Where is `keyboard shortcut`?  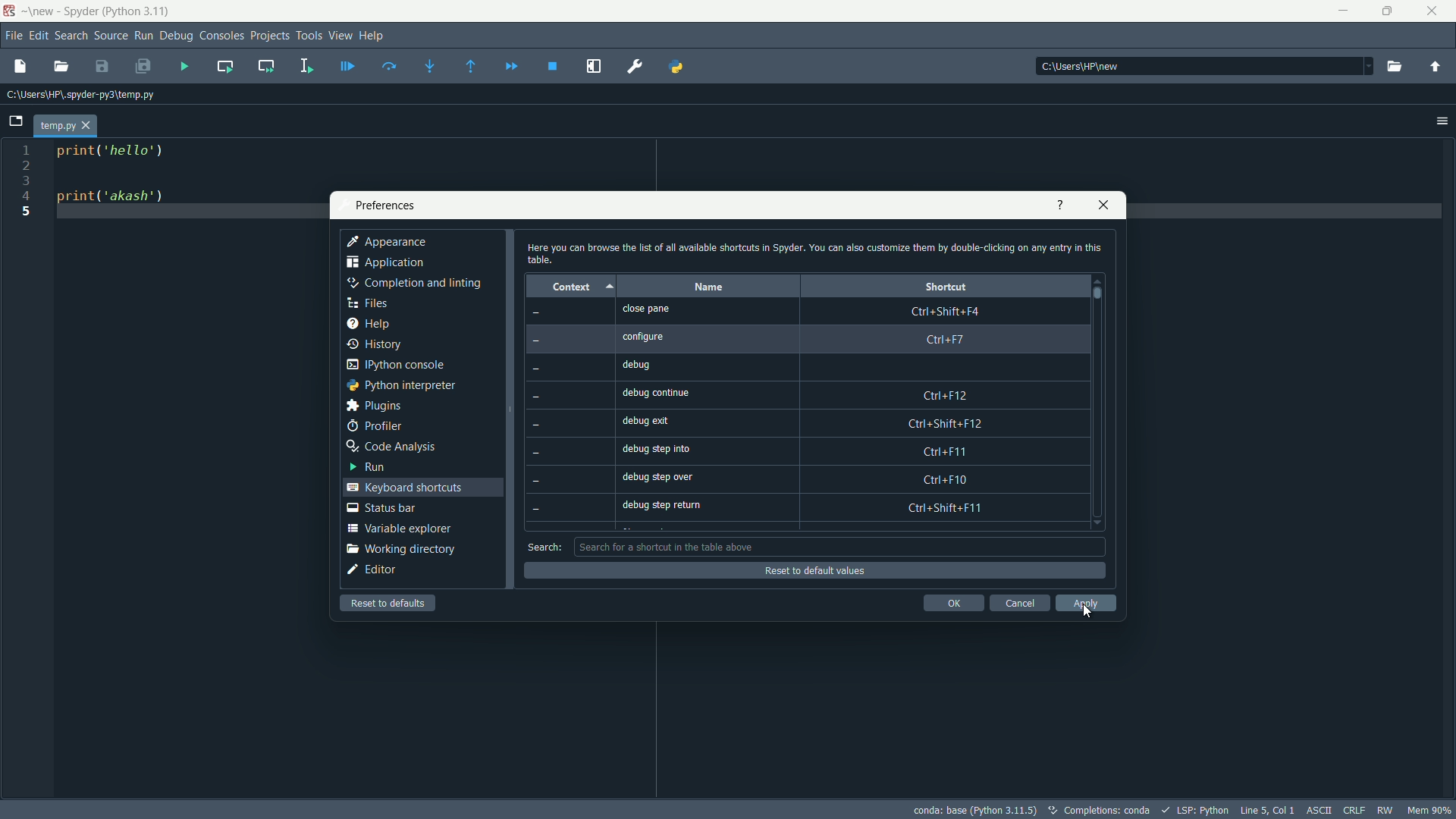
keyboard shortcut is located at coordinates (947, 409).